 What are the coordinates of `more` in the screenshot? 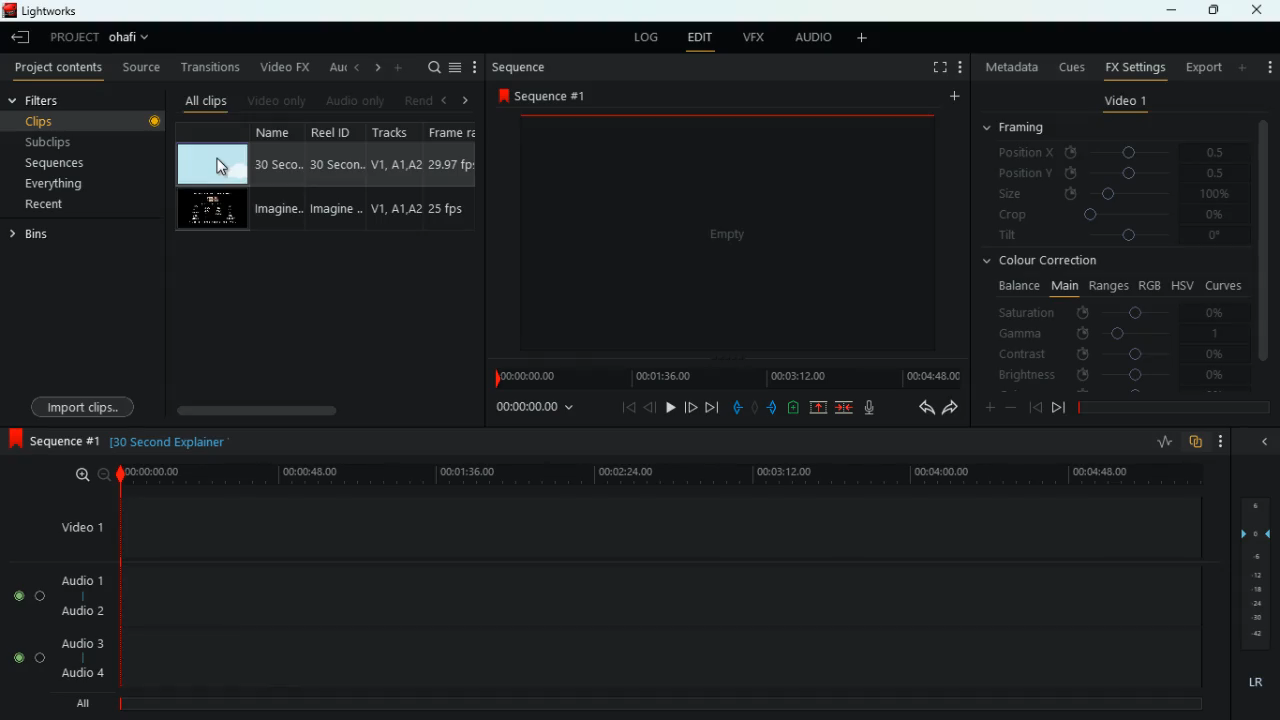 It's located at (400, 68).